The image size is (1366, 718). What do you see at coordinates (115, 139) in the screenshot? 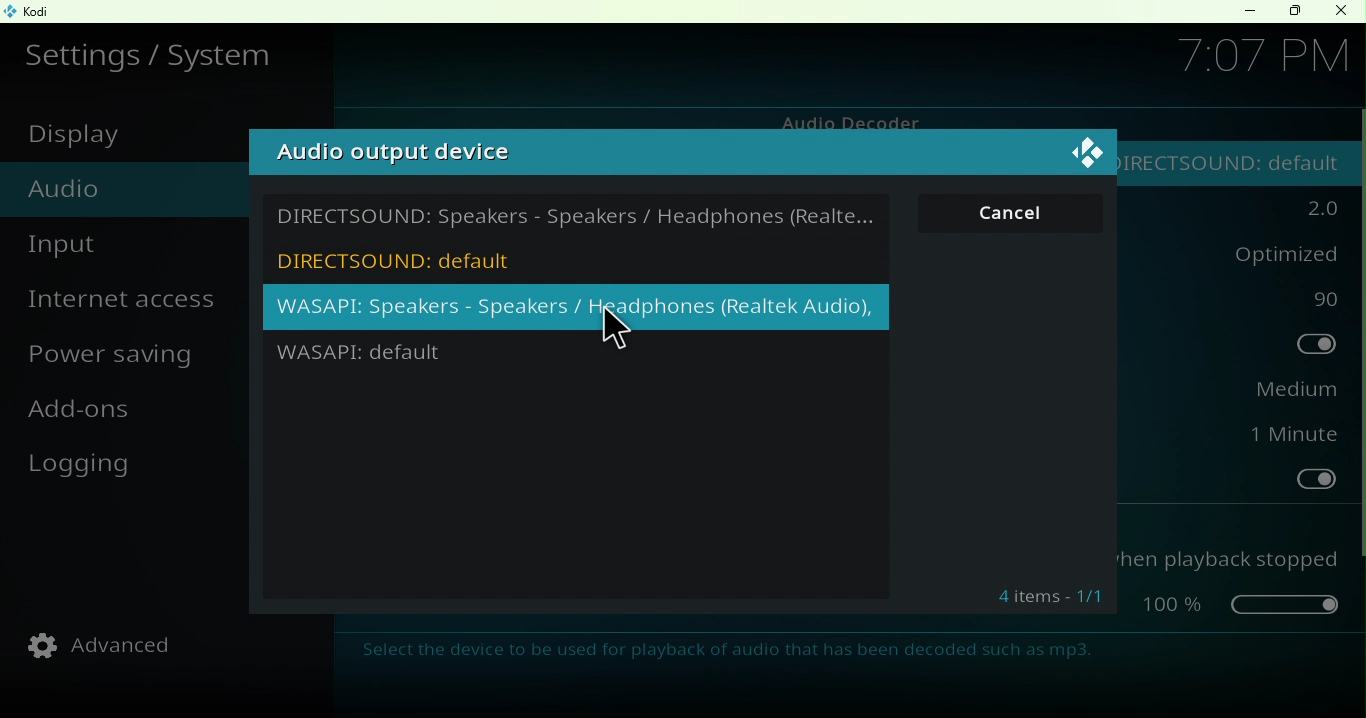
I see `Display` at bounding box center [115, 139].